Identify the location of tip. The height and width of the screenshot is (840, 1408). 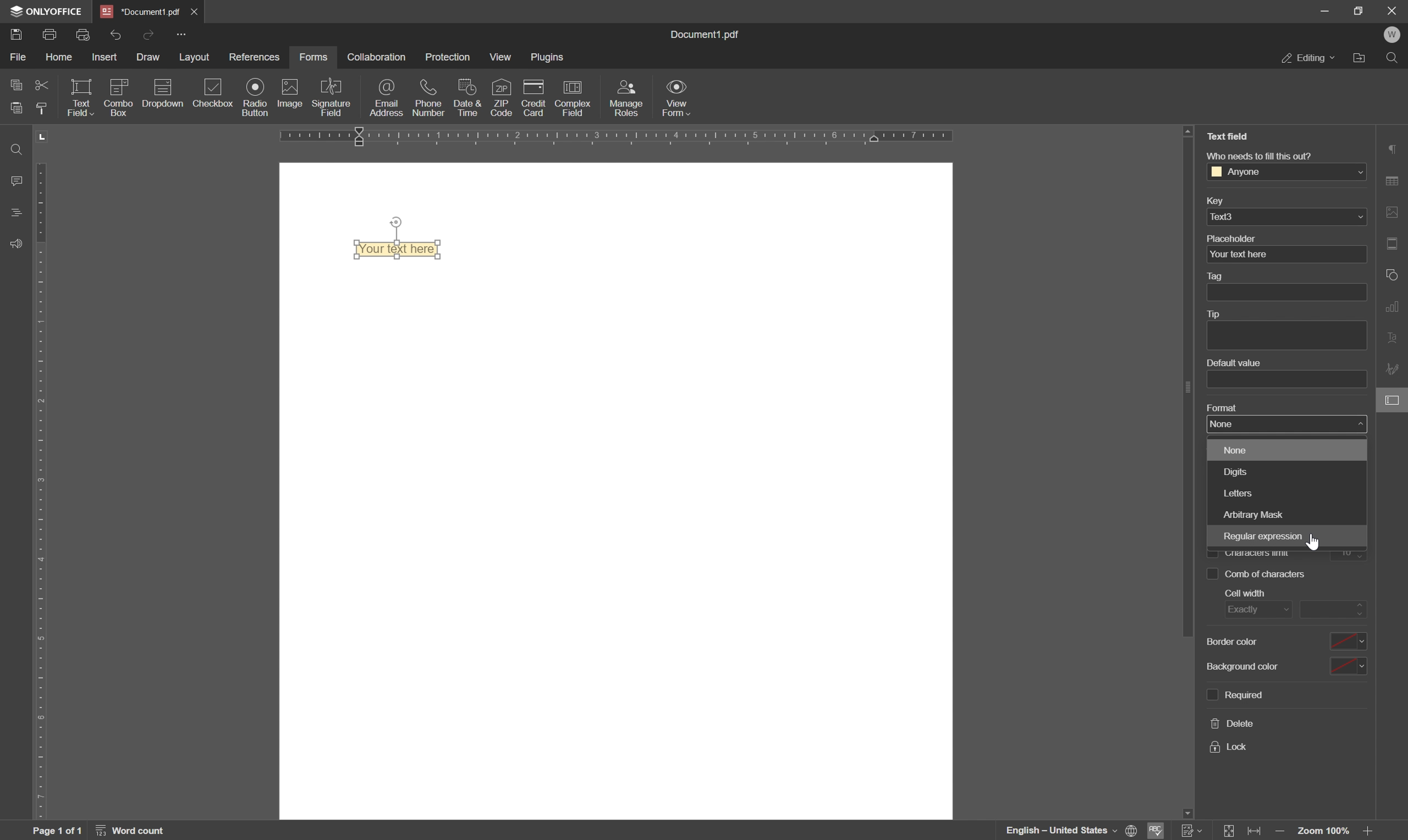
(1218, 314).